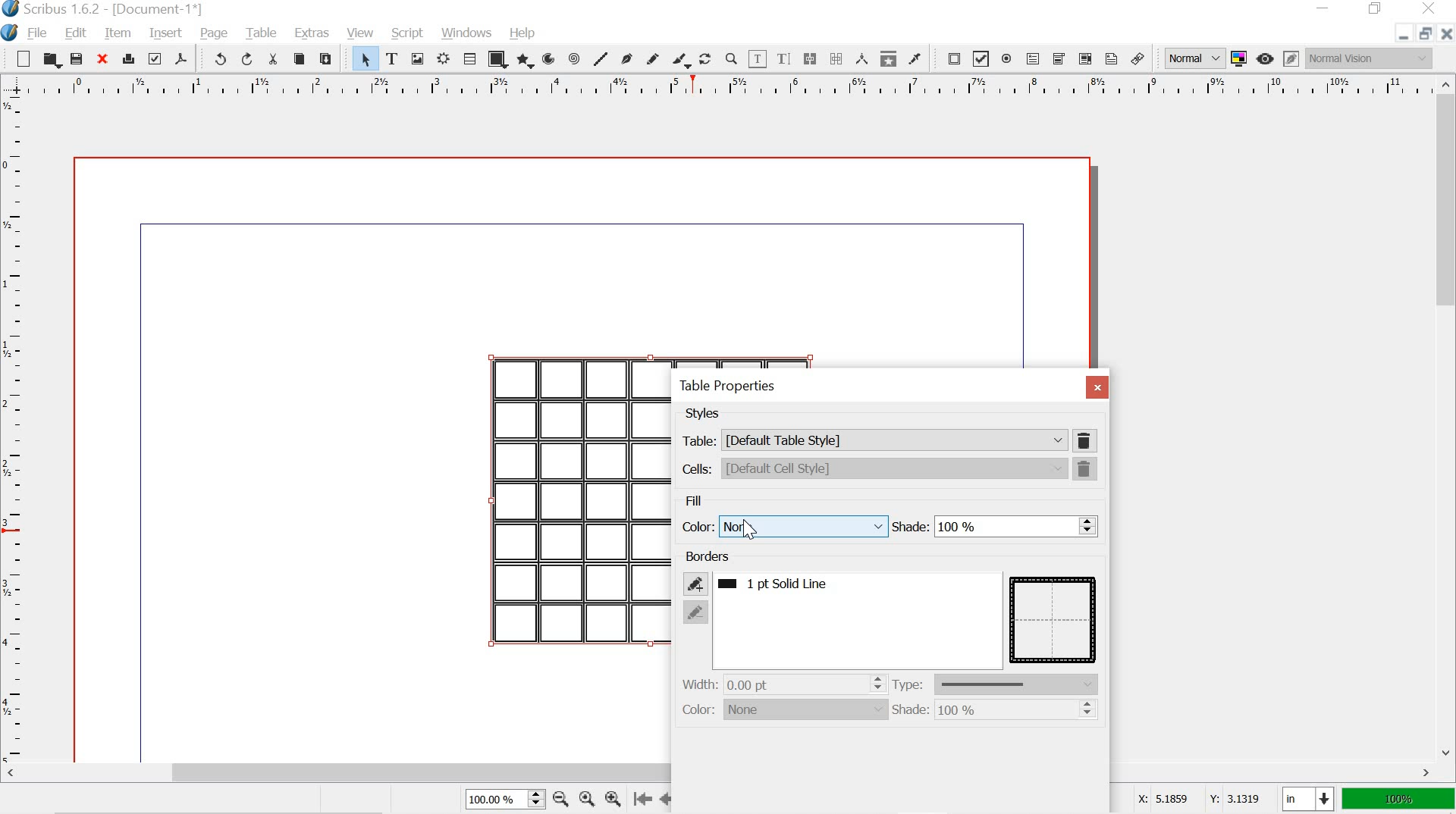 The width and height of the screenshot is (1456, 814). I want to click on paste, so click(331, 61).